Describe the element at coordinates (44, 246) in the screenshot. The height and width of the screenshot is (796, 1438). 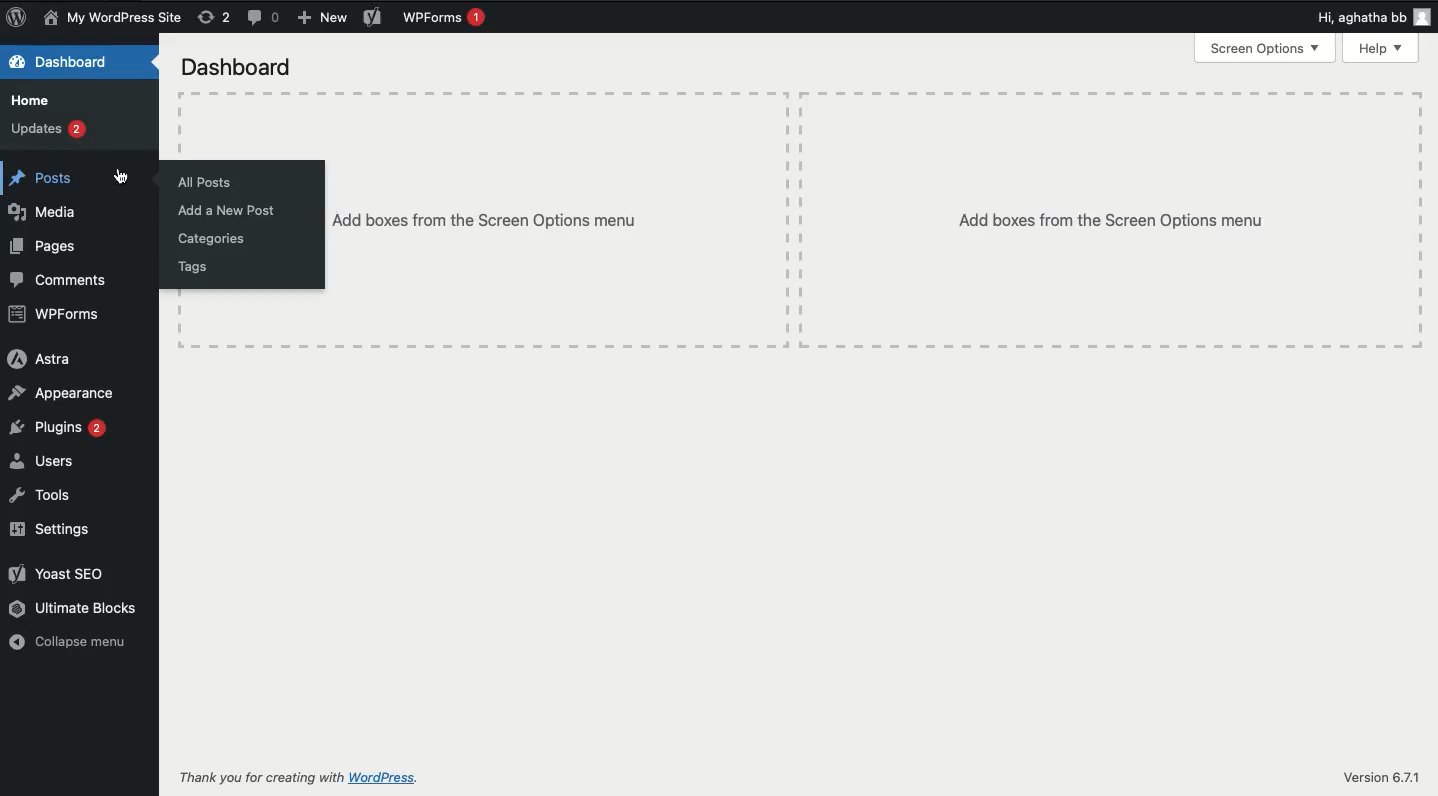
I see `Pages` at that location.